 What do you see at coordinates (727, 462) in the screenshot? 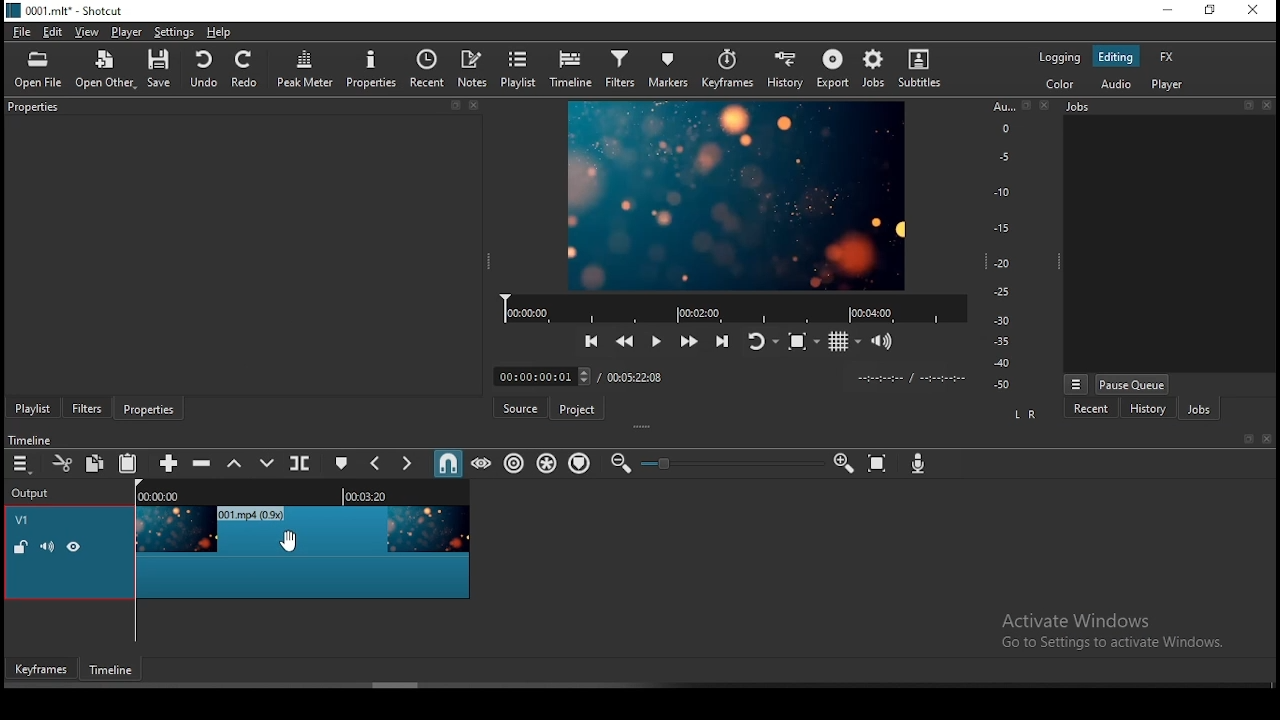
I see `zoom in or zoom out slider` at bounding box center [727, 462].